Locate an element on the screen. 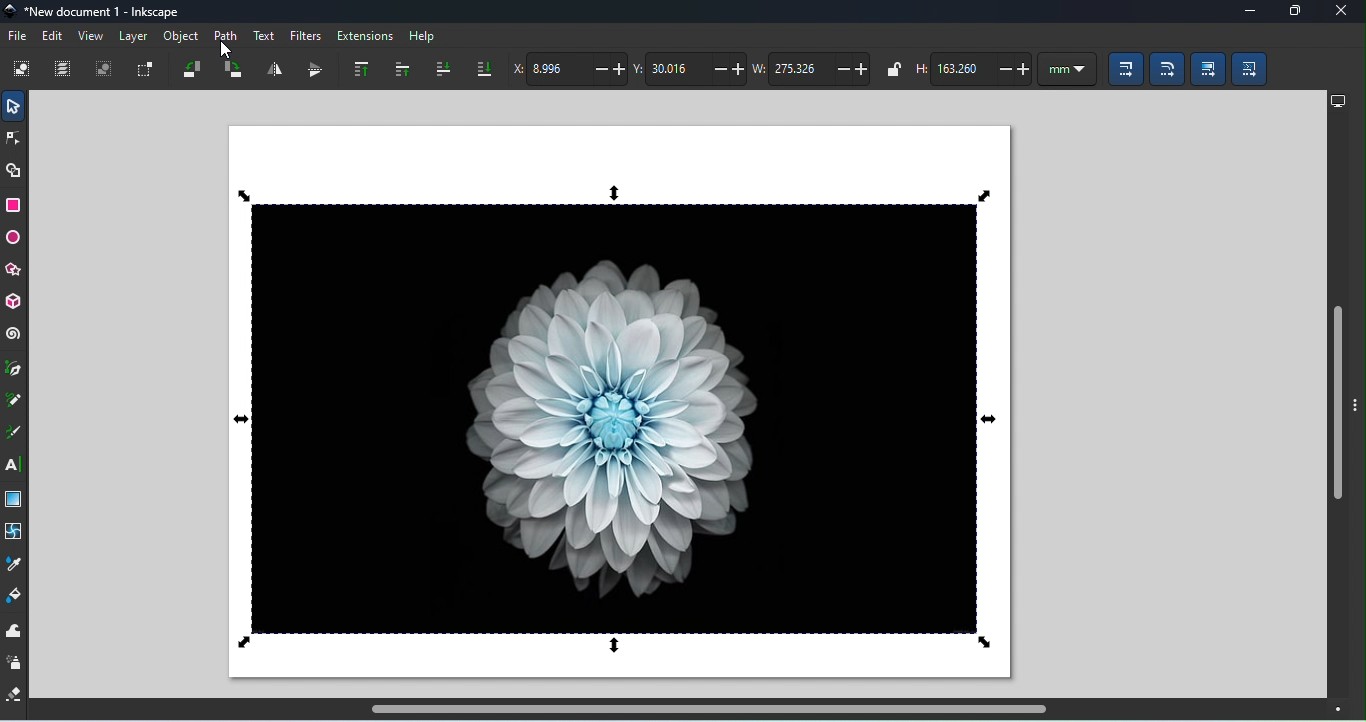 This screenshot has height=722, width=1366. Spiral tool is located at coordinates (13, 336).